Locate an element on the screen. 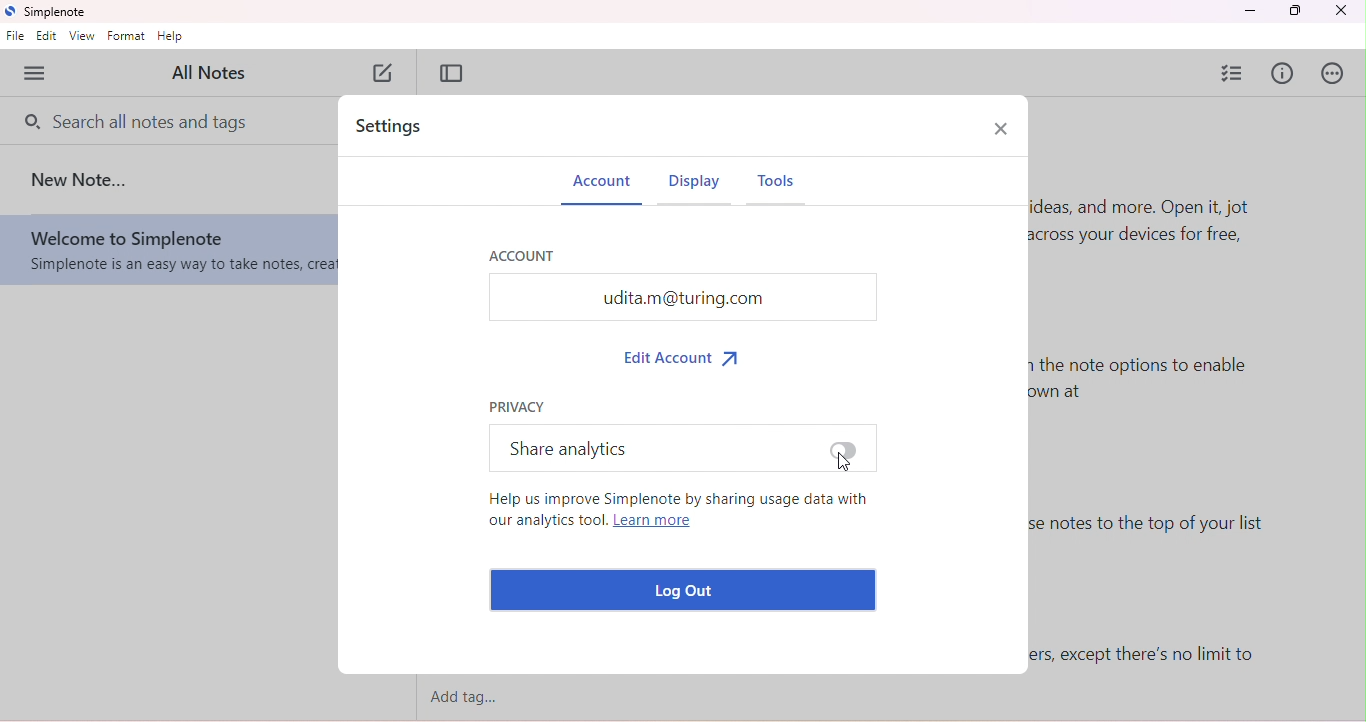  new note is located at coordinates (386, 75).